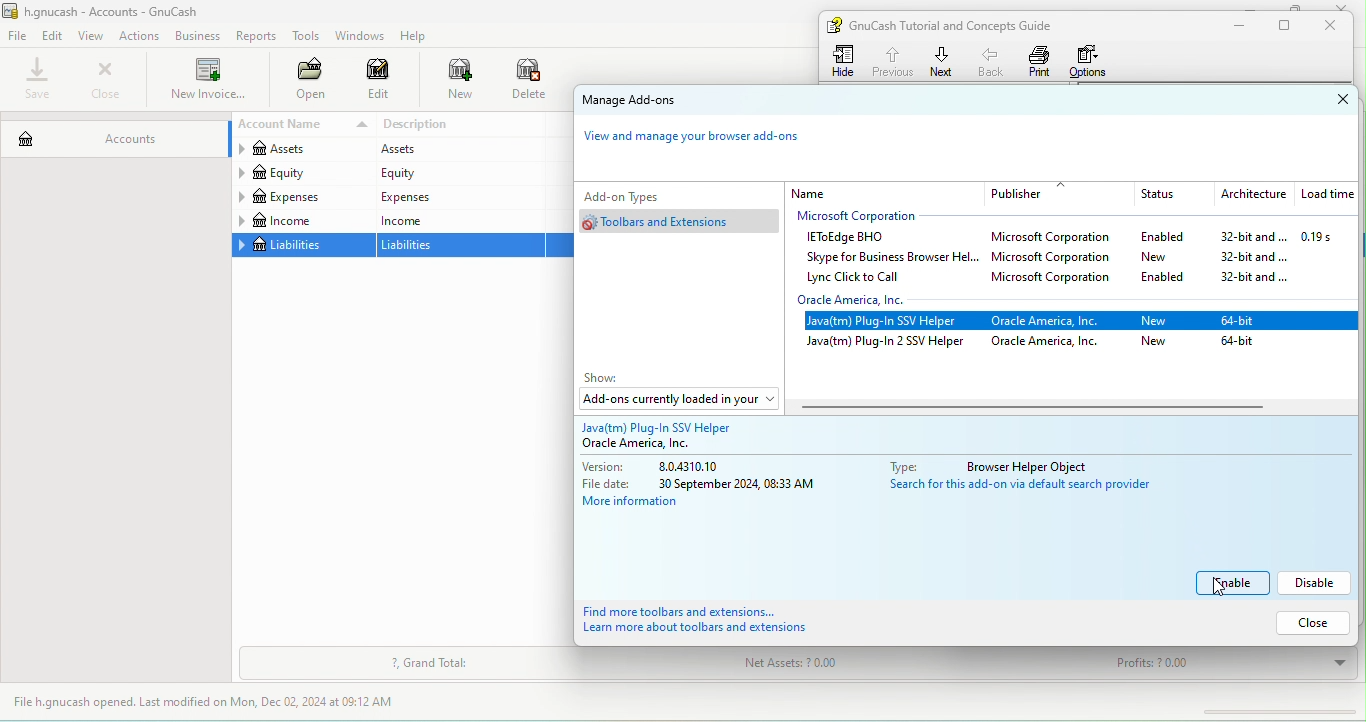  I want to click on actions, so click(143, 36).